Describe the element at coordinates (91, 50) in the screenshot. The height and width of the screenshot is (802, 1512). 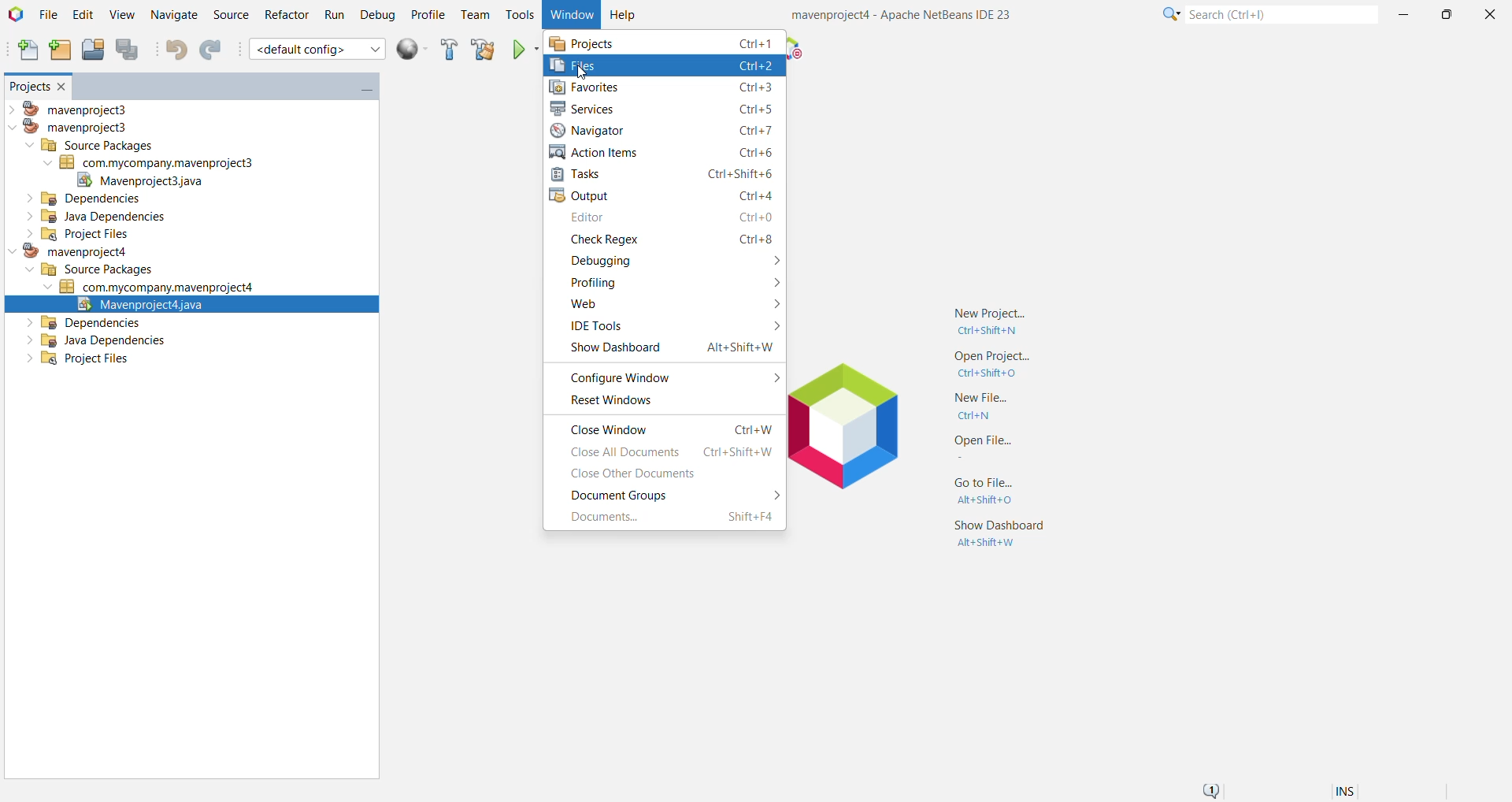
I see `Open Project` at that location.